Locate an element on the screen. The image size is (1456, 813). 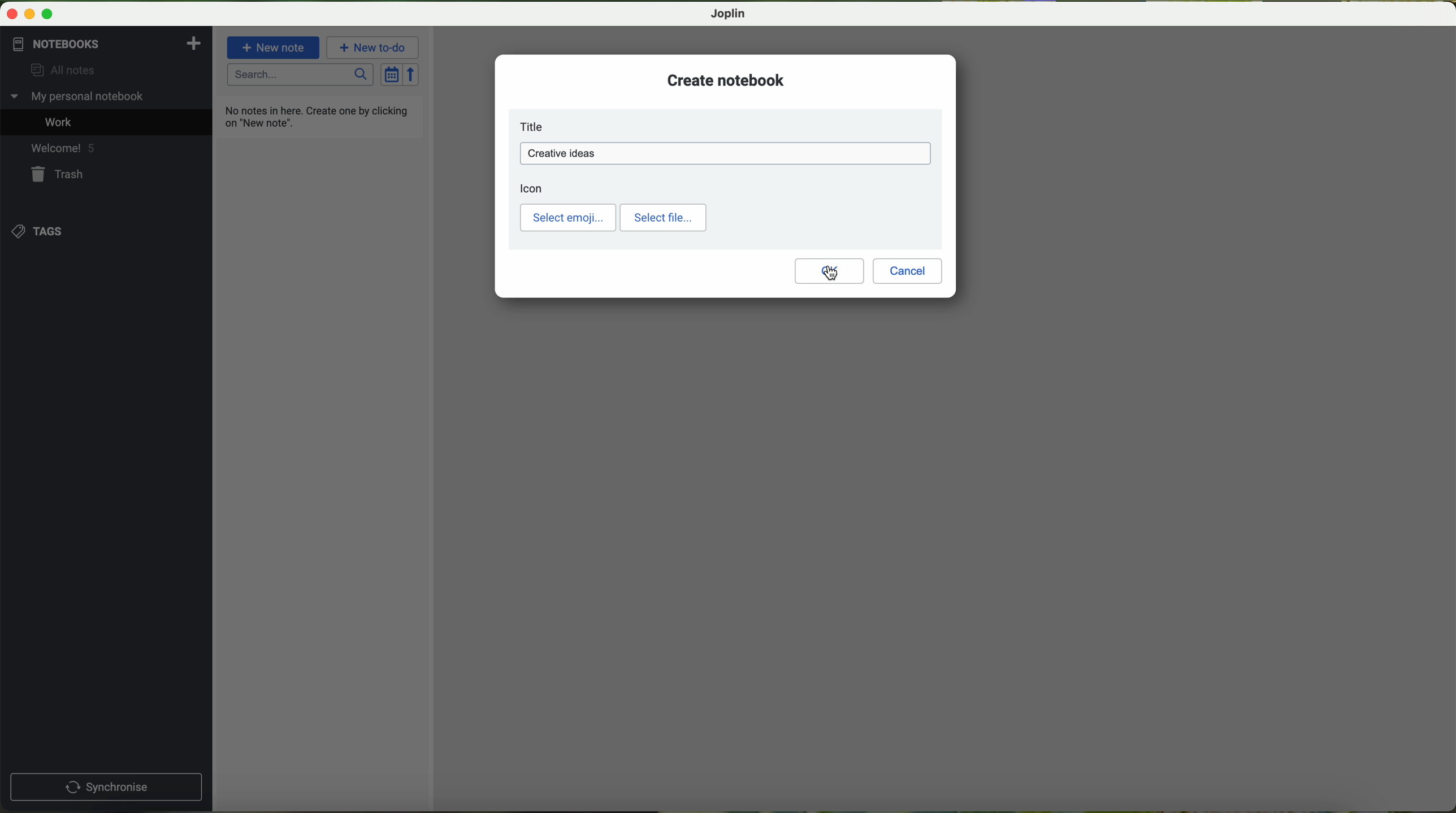
 is located at coordinates (415, 76).